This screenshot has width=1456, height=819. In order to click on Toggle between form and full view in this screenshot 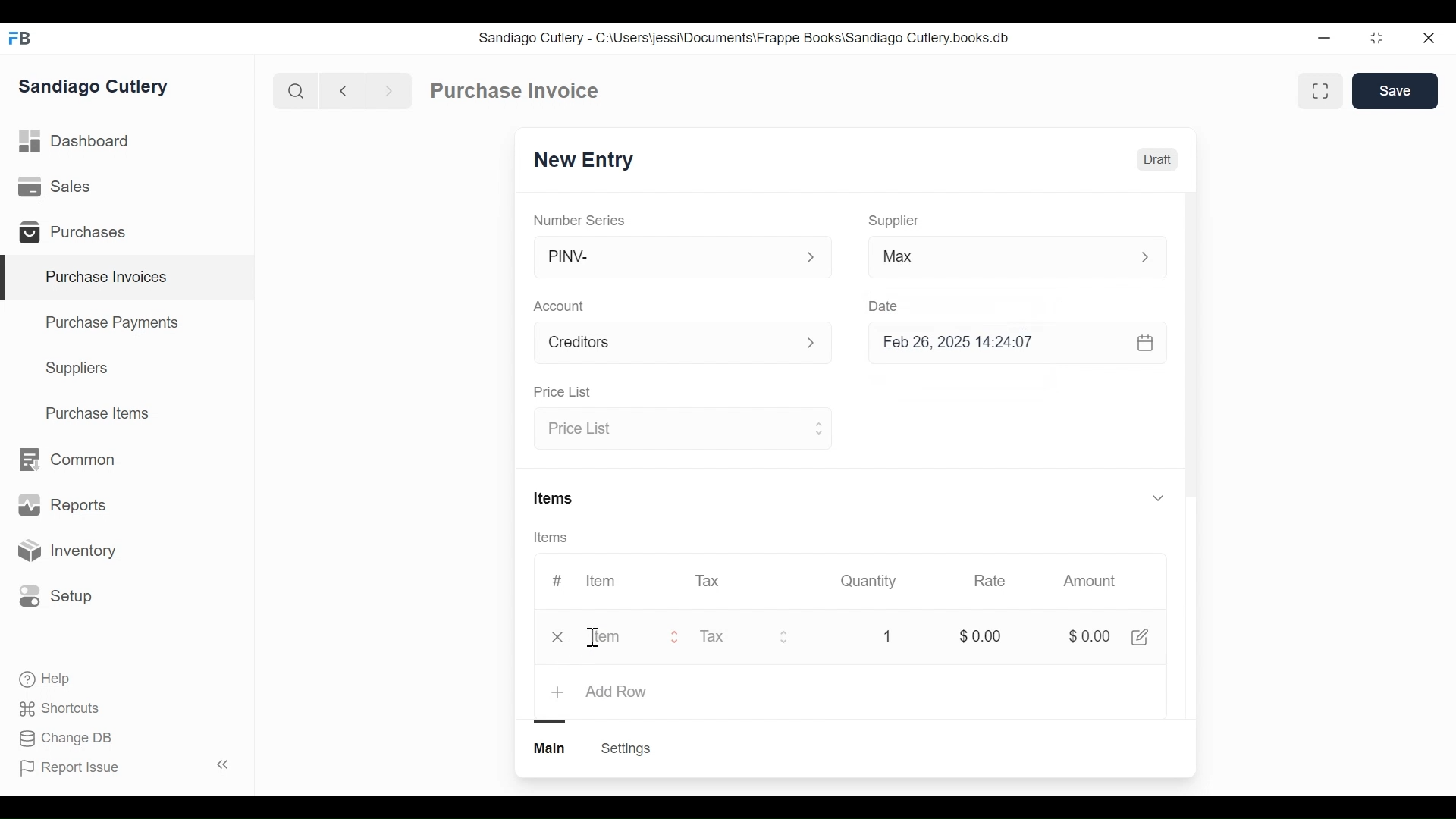, I will do `click(1321, 91)`.